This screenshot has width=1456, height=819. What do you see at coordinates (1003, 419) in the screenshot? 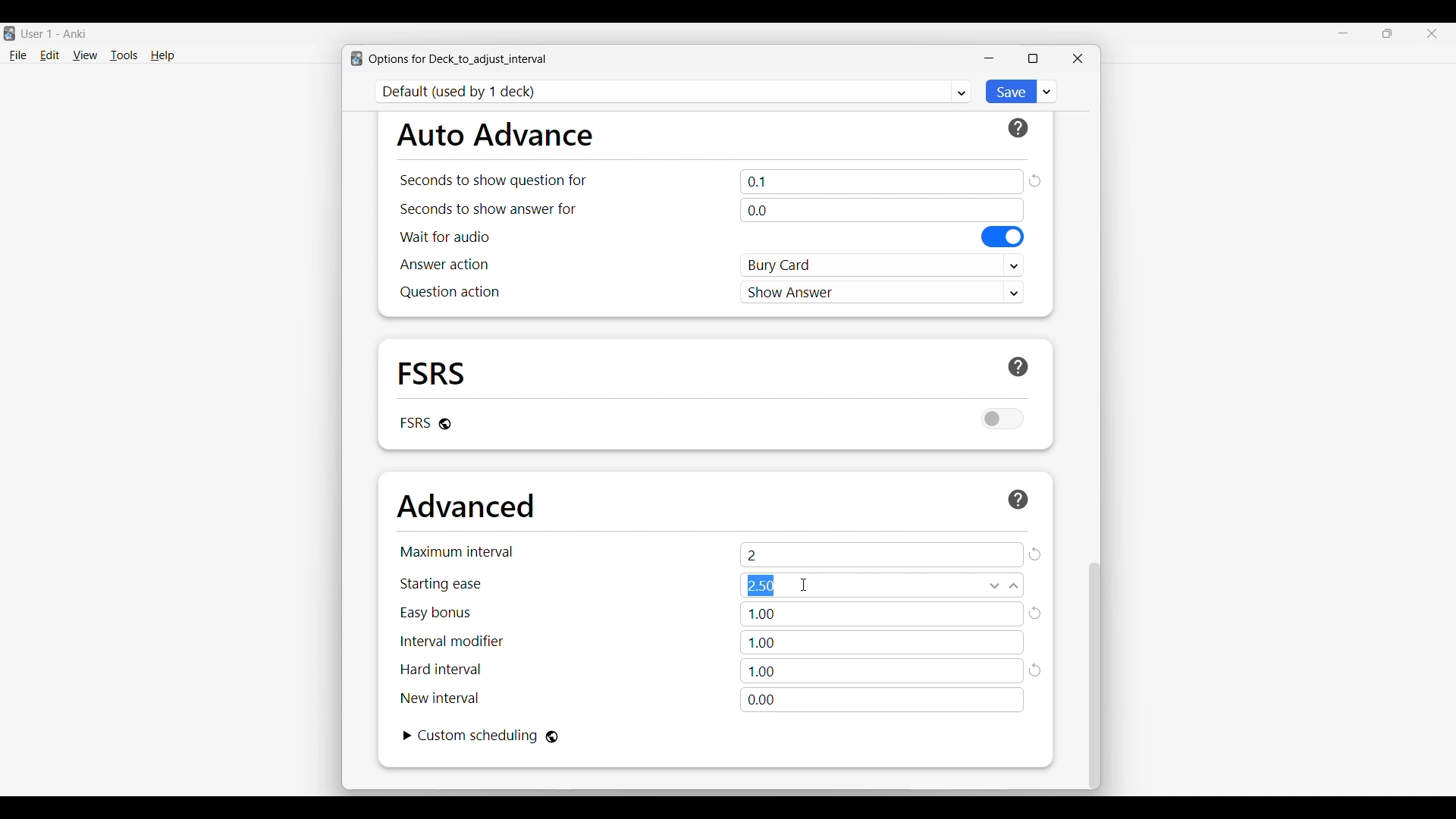
I see `Toggle for FSRS` at bounding box center [1003, 419].